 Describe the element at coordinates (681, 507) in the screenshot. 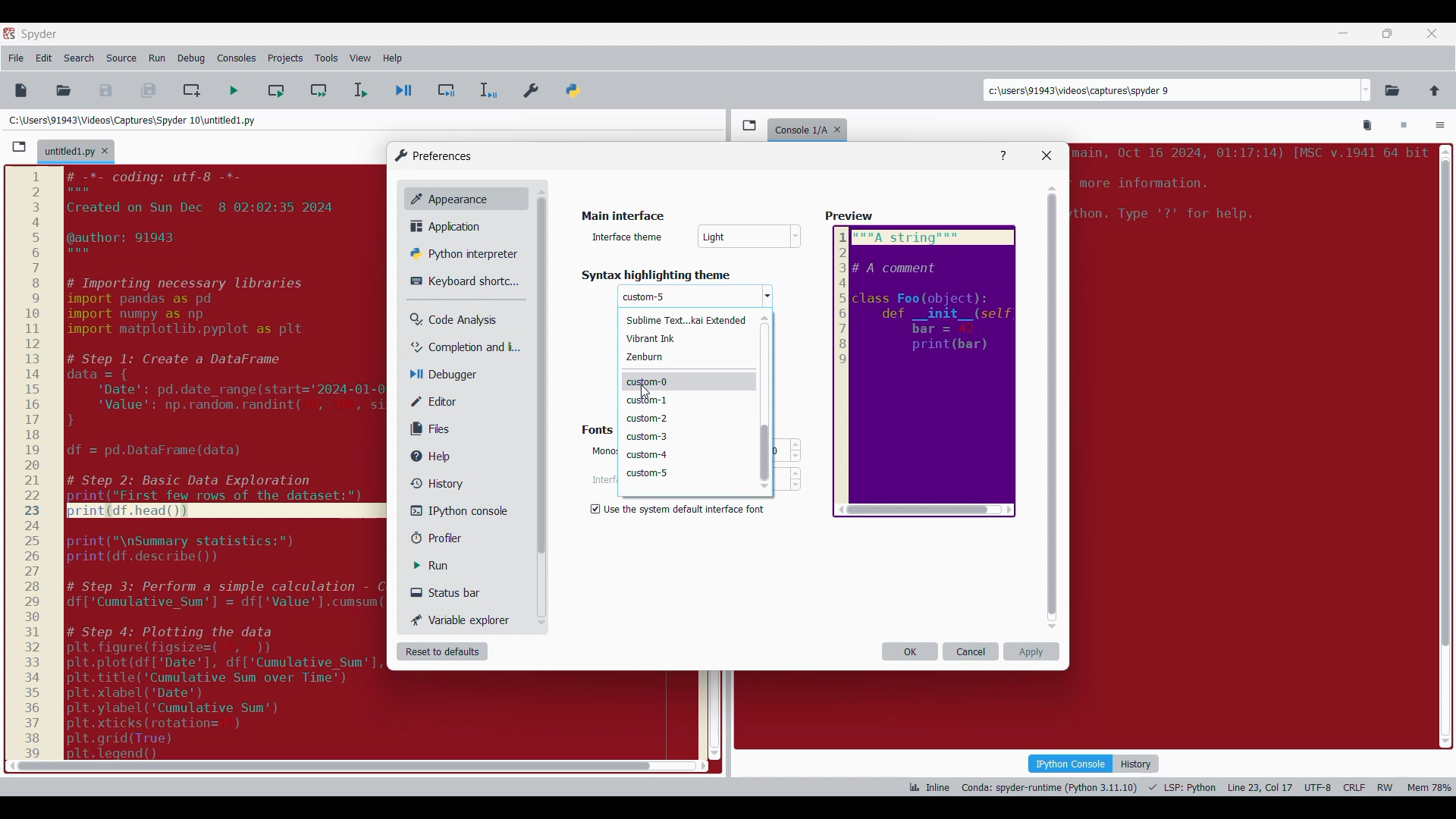

I see `Setting options under Background` at that location.